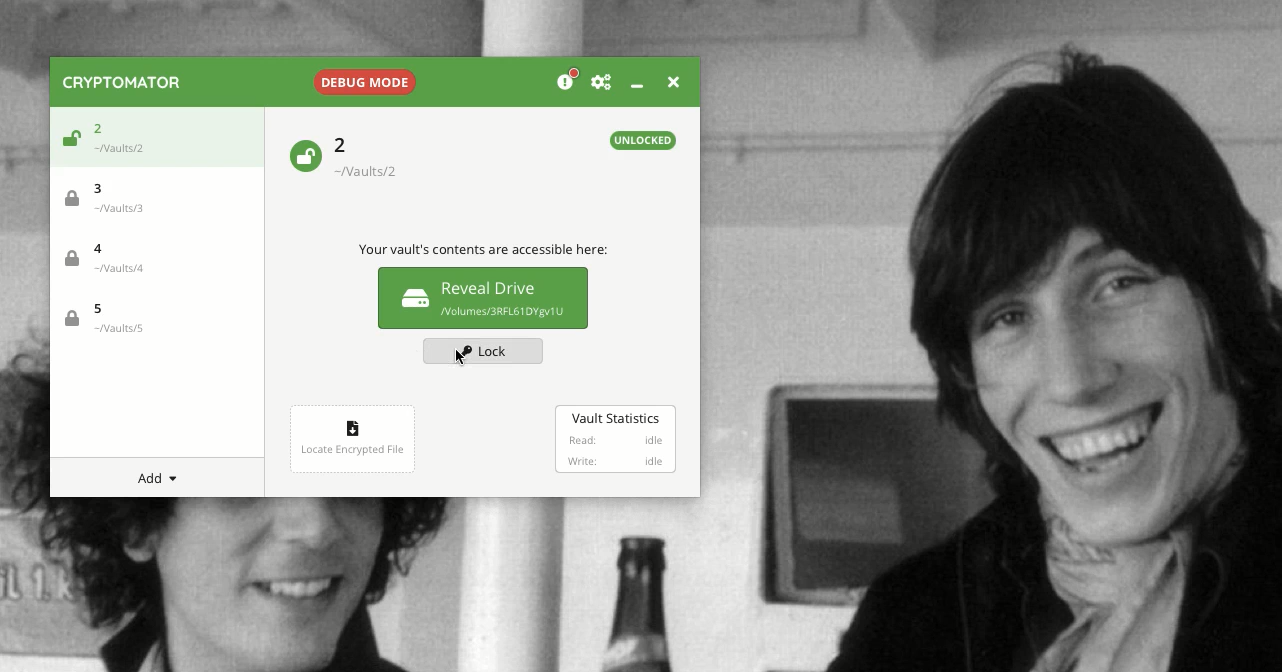  Describe the element at coordinates (362, 78) in the screenshot. I see `Debug mode` at that location.